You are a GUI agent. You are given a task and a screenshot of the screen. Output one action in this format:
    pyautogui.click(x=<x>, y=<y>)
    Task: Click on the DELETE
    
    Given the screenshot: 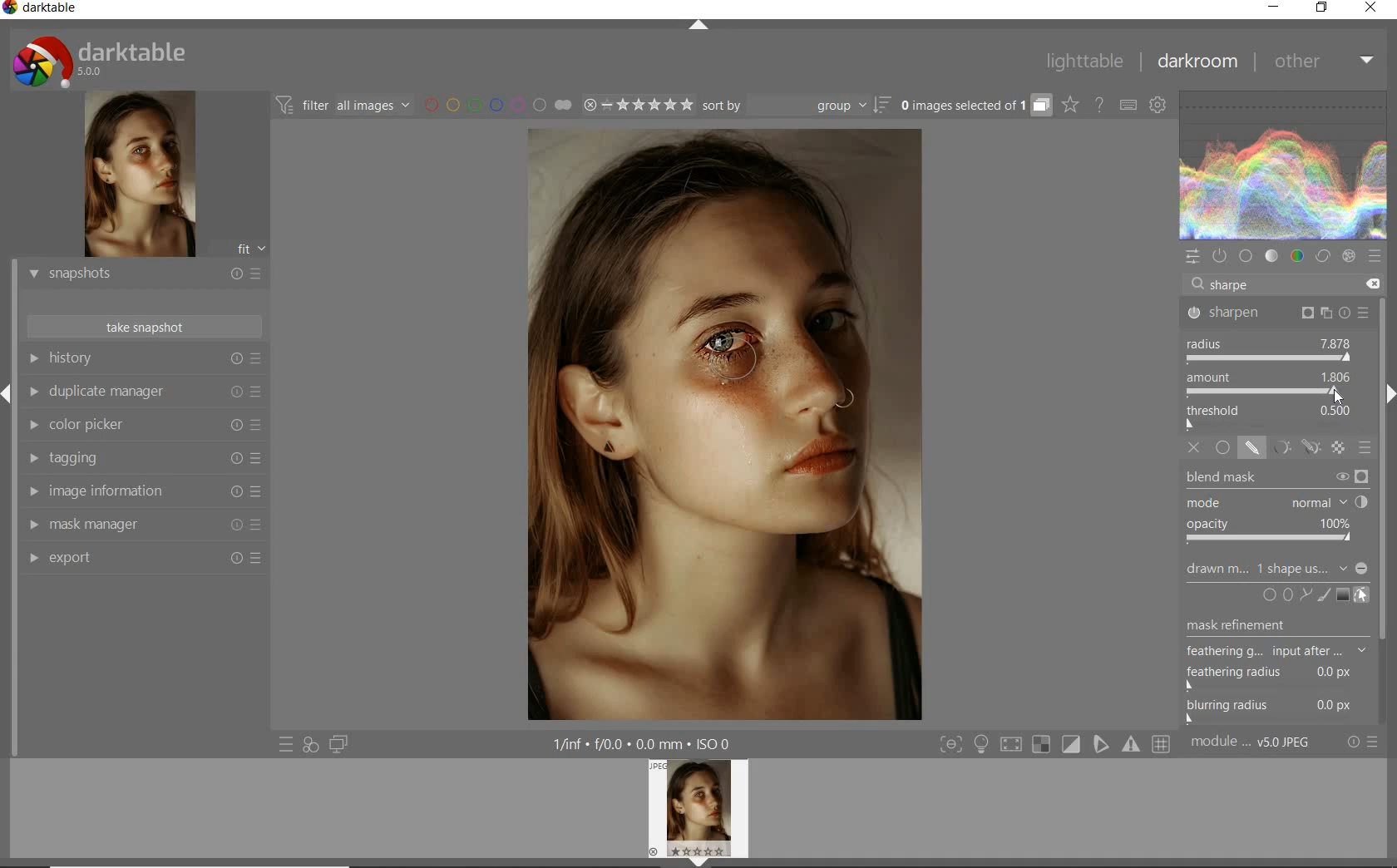 What is the action you would take?
    pyautogui.click(x=1370, y=284)
    